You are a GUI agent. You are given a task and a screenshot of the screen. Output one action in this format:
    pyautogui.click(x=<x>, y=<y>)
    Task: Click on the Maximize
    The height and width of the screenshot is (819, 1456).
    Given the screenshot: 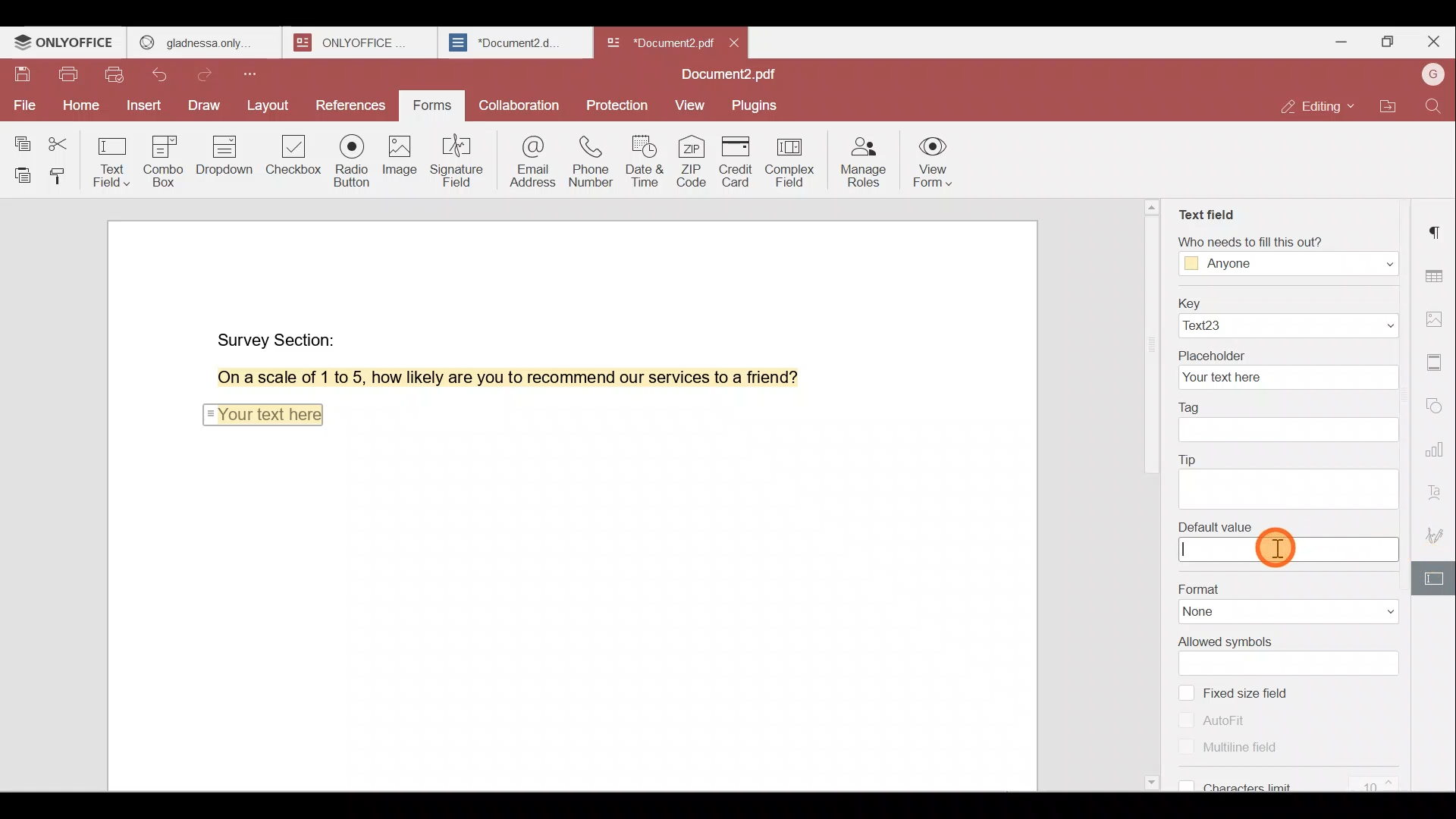 What is the action you would take?
    pyautogui.click(x=1386, y=44)
    